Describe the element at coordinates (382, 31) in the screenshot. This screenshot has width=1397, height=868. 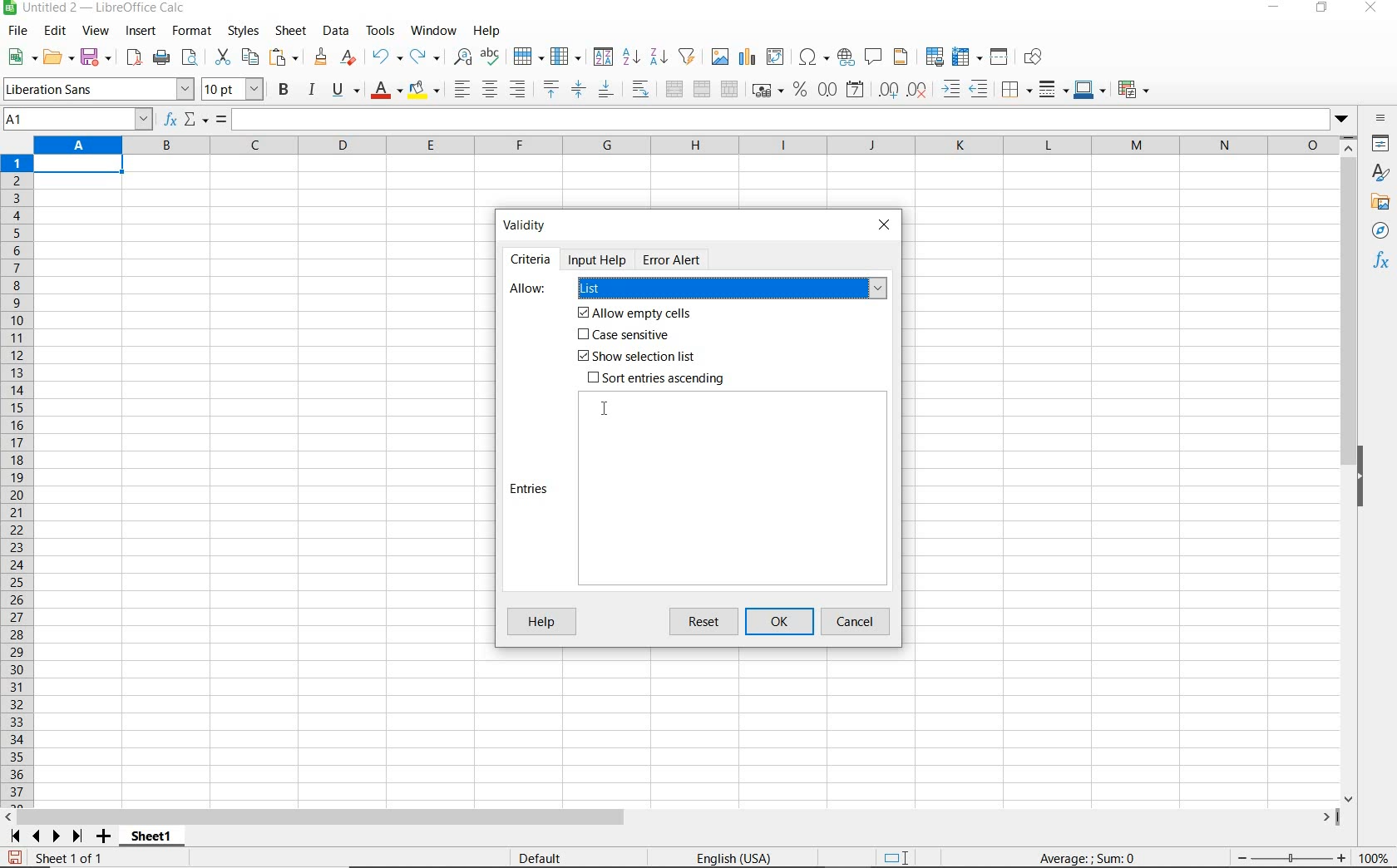
I see `tools` at that location.